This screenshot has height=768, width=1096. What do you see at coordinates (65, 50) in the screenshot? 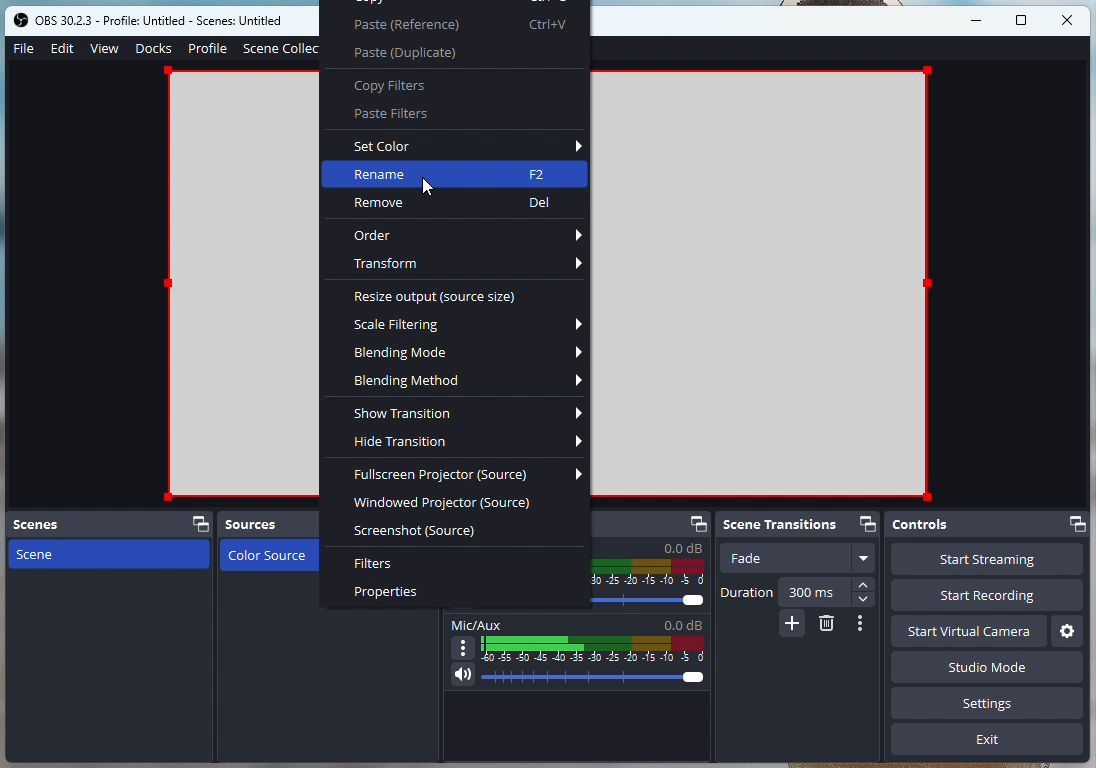
I see `Edit` at bounding box center [65, 50].